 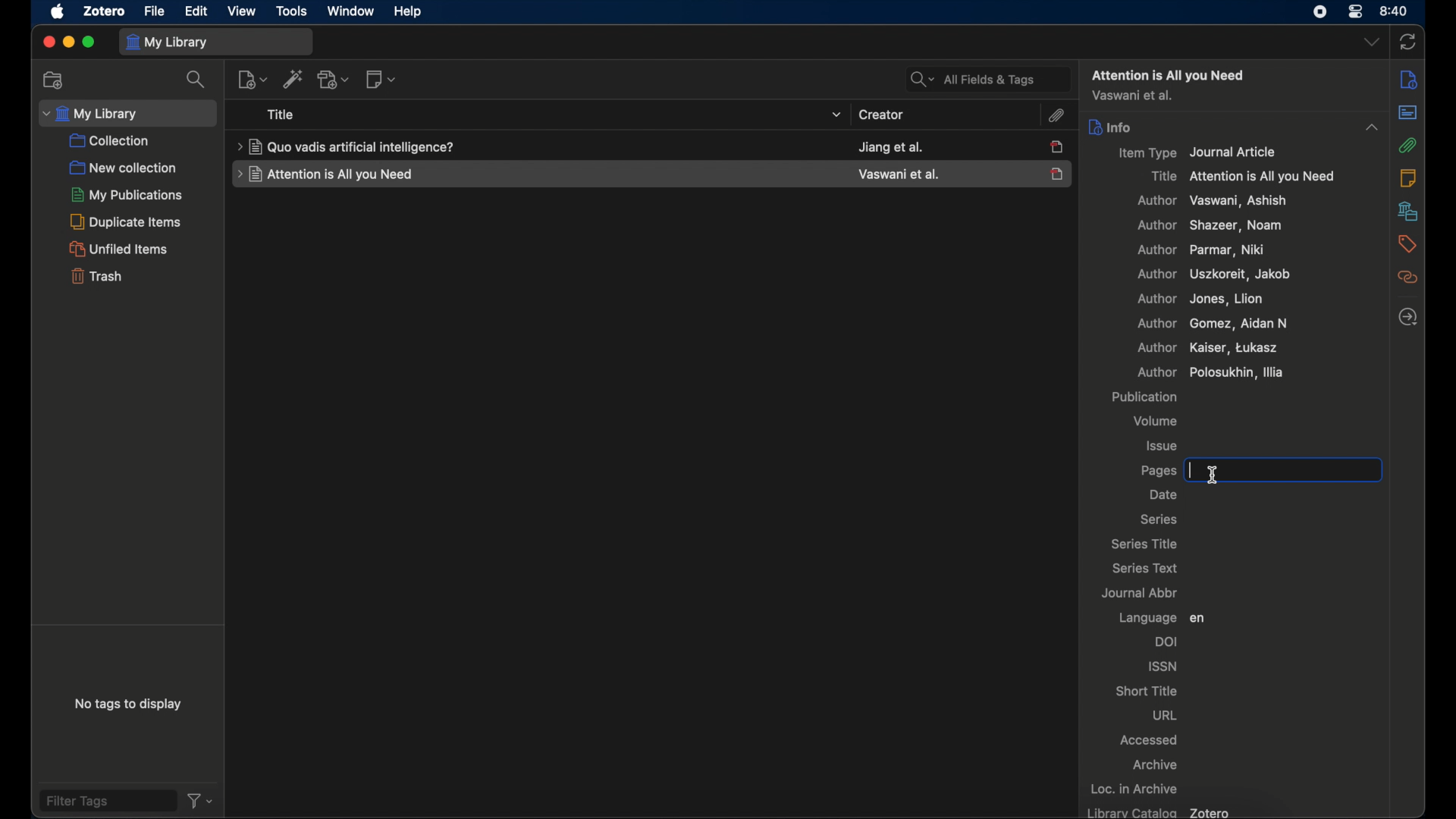 What do you see at coordinates (1163, 445) in the screenshot?
I see `issue` at bounding box center [1163, 445].